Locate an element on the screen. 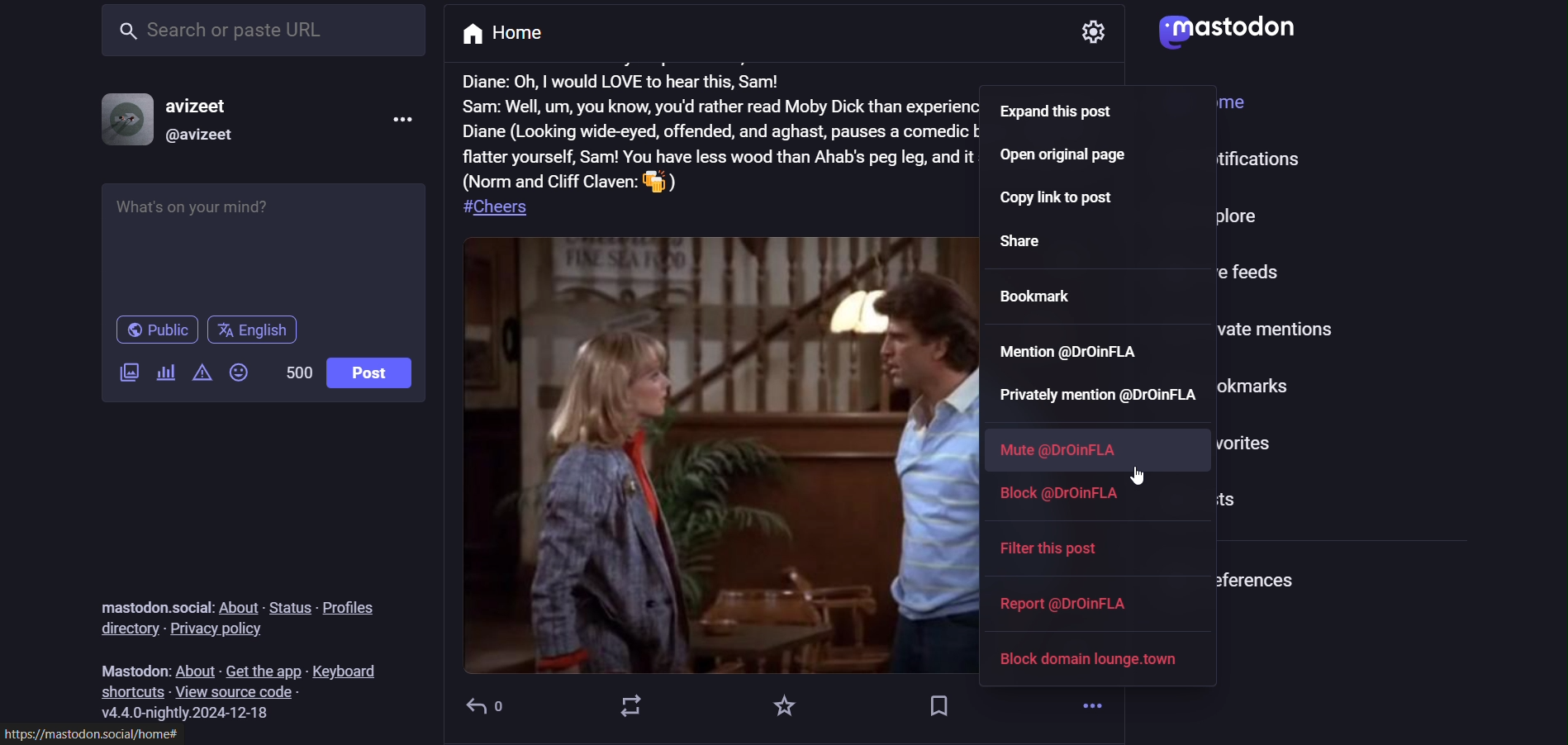 The width and height of the screenshot is (1568, 745). @avizeet is located at coordinates (200, 137).